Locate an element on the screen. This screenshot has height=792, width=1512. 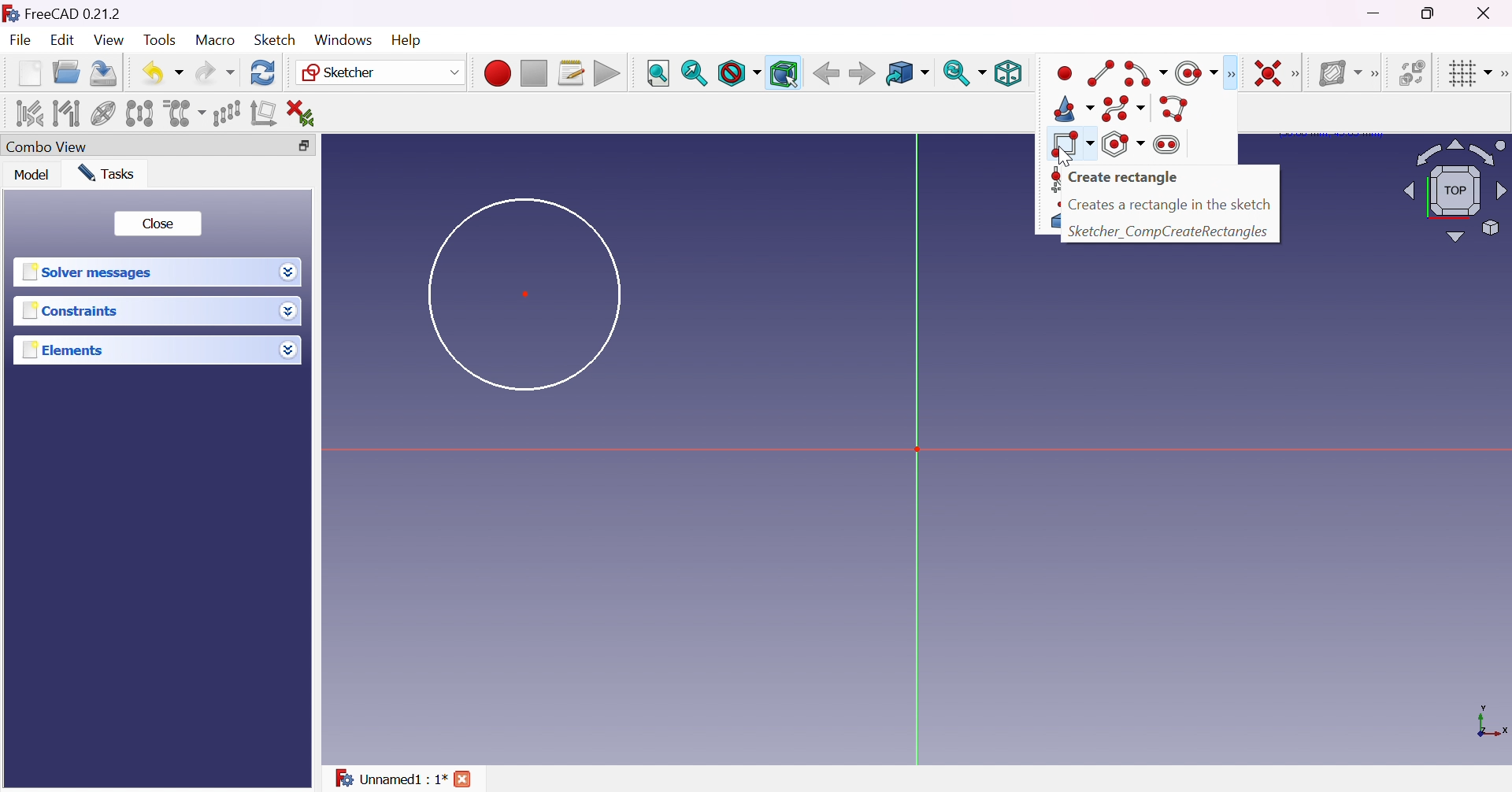
Cursor is located at coordinates (1068, 157).